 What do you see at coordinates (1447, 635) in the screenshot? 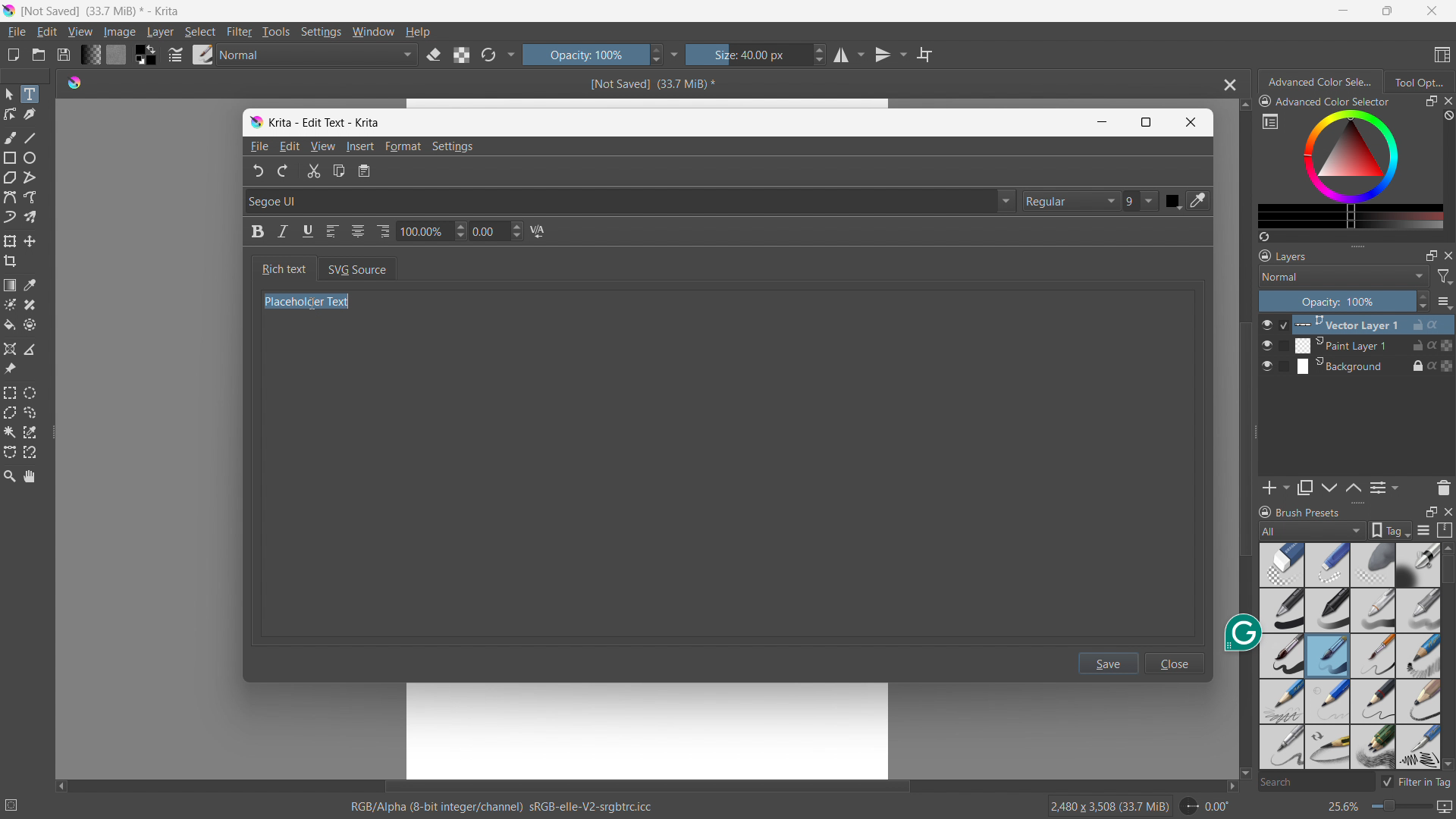
I see `scrollbar` at bounding box center [1447, 635].